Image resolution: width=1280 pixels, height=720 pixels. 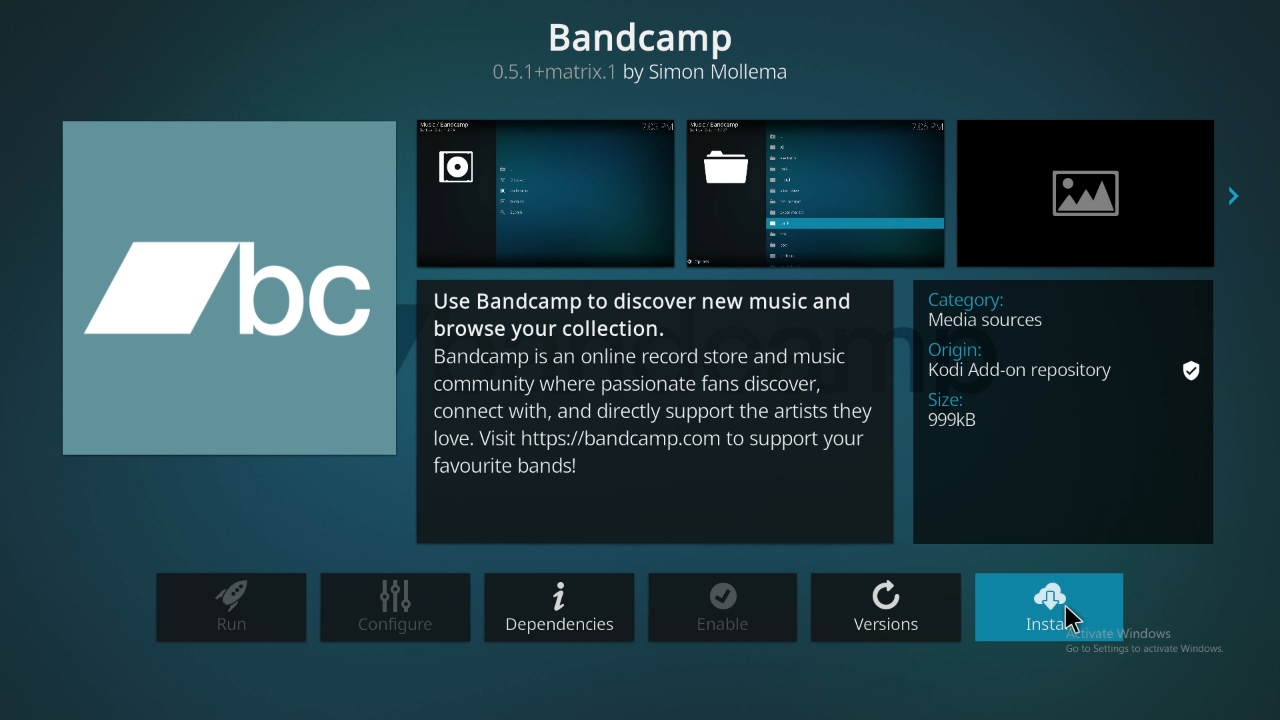 What do you see at coordinates (639, 49) in the screenshot?
I see `bandcamp` at bounding box center [639, 49].